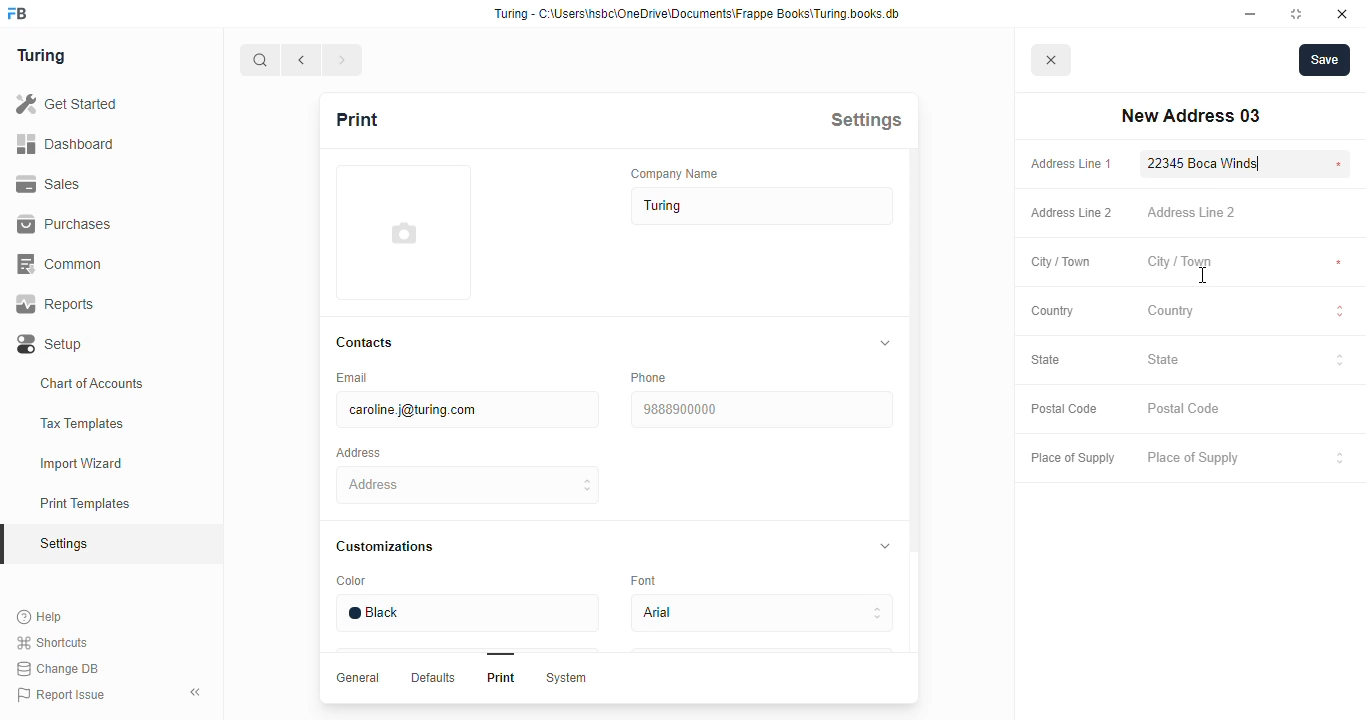 Image resolution: width=1366 pixels, height=720 pixels. What do you see at coordinates (1339, 164) in the screenshot?
I see `compulsory to fill *` at bounding box center [1339, 164].